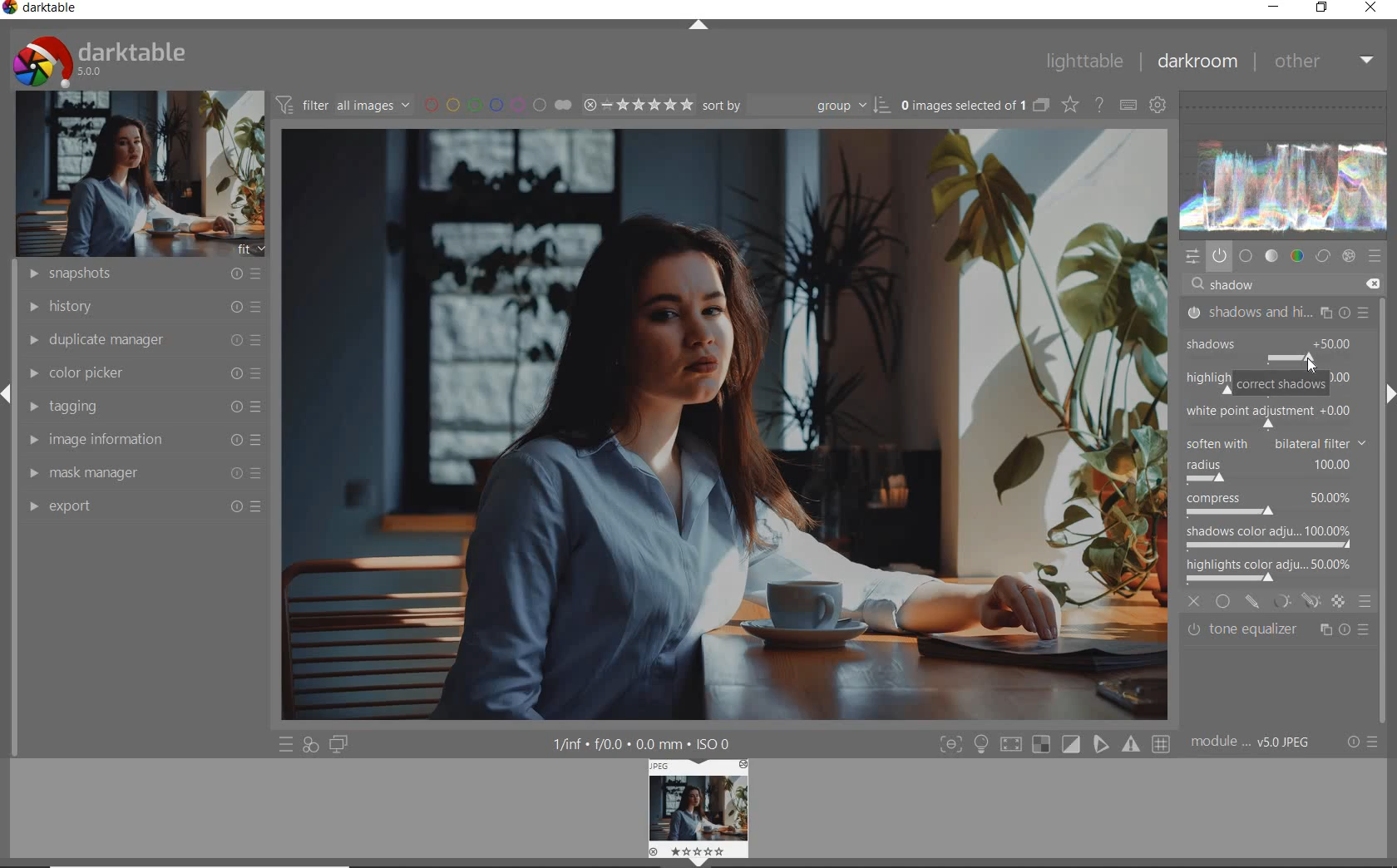 Image resolution: width=1397 pixels, height=868 pixels. What do you see at coordinates (1054, 744) in the screenshot?
I see `toggle modes` at bounding box center [1054, 744].